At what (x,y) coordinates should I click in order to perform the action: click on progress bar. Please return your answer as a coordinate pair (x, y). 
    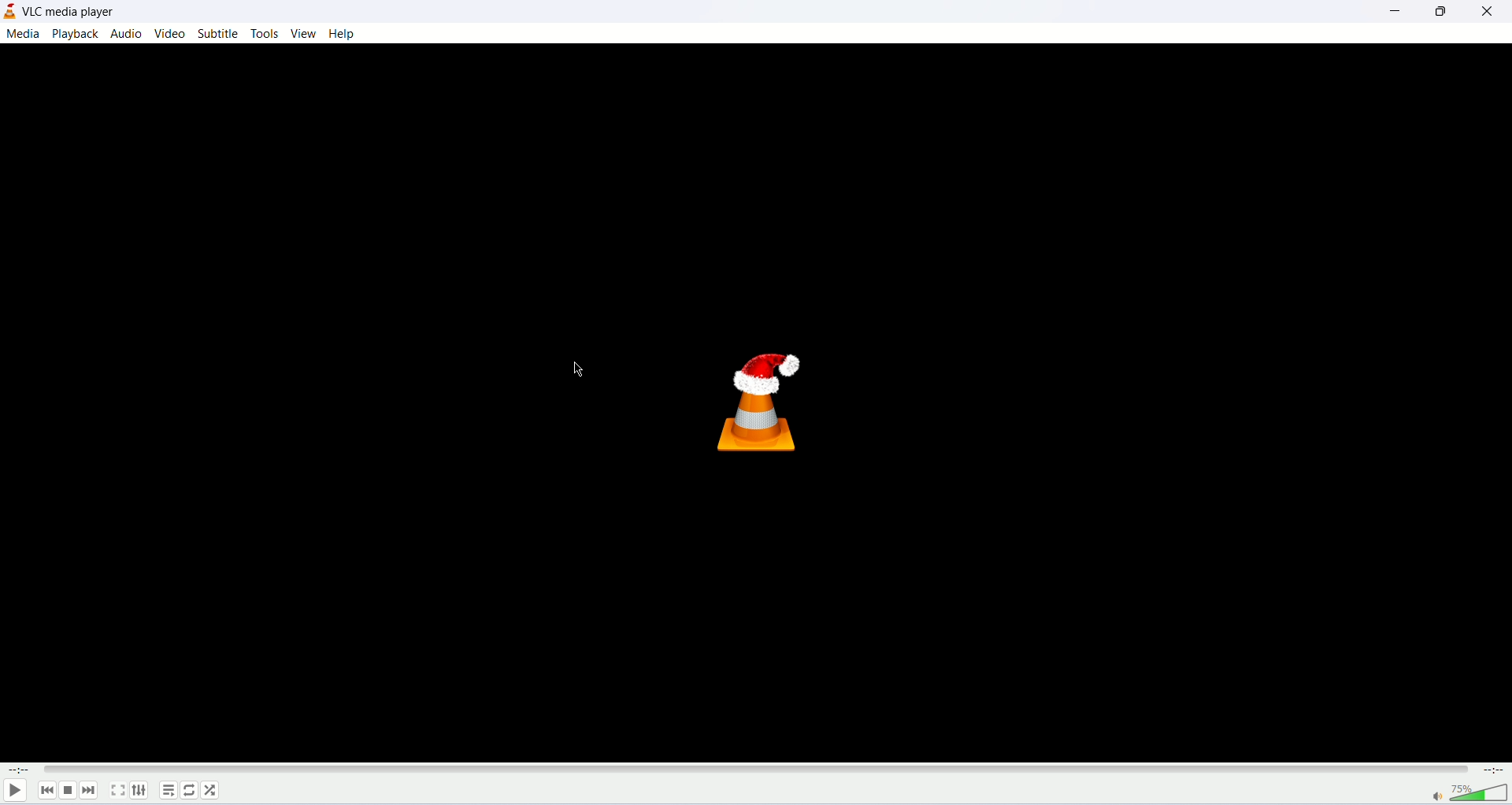
    Looking at the image, I should click on (754, 766).